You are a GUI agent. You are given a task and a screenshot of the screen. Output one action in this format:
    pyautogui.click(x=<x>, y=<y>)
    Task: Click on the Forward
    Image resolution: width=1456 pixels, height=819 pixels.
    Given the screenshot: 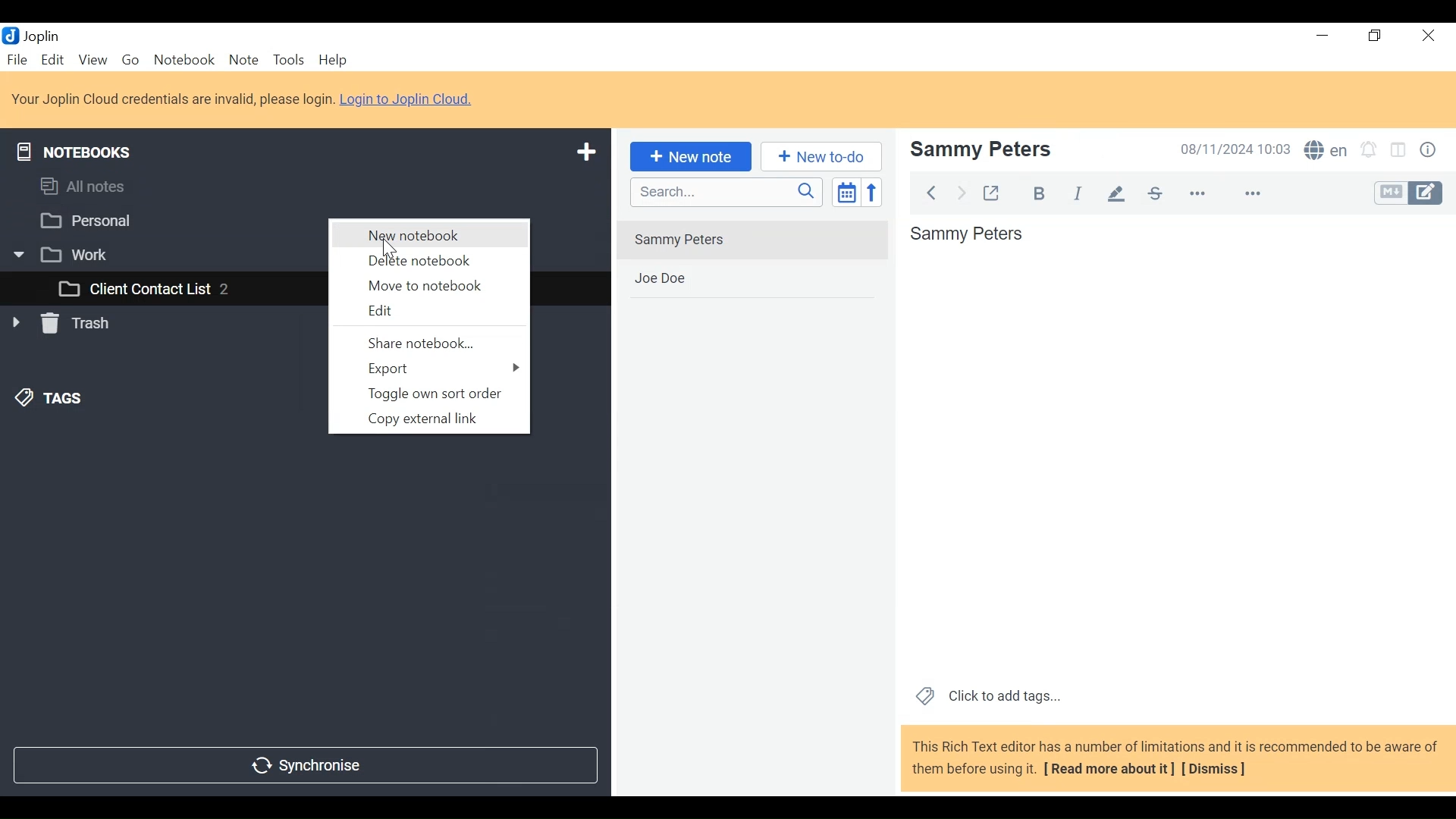 What is the action you would take?
    pyautogui.click(x=958, y=193)
    